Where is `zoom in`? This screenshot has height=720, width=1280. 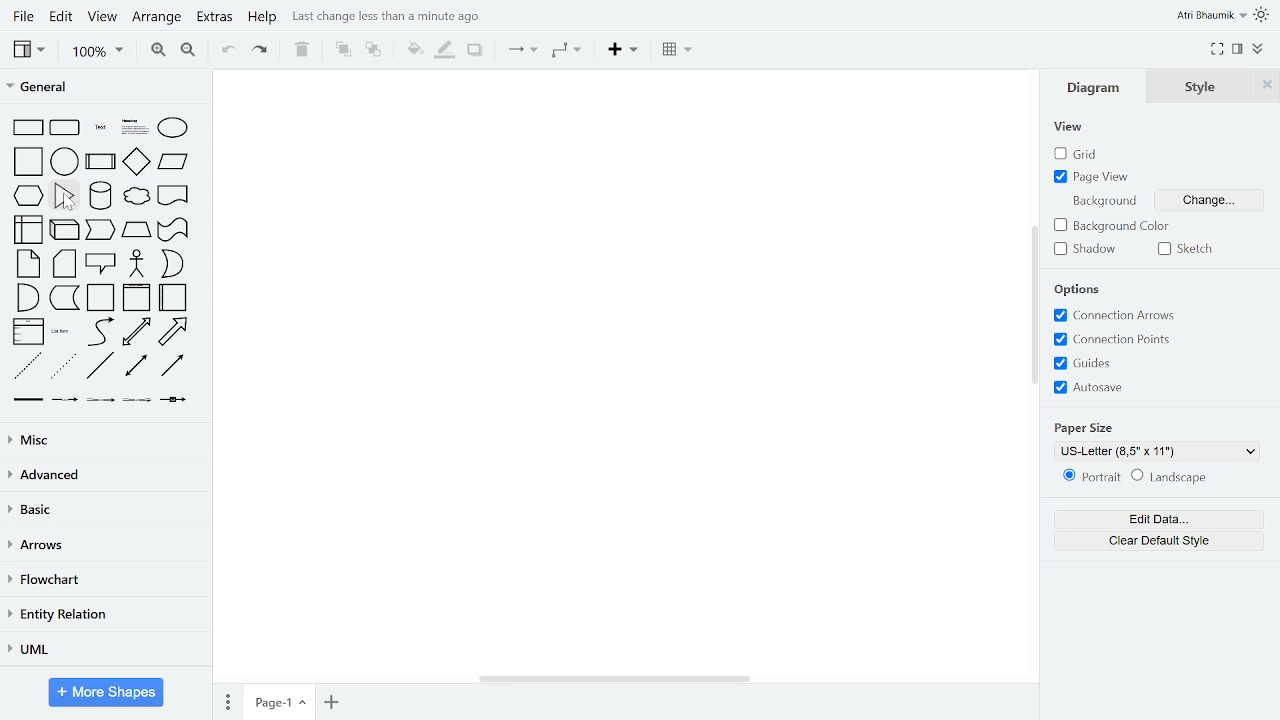
zoom in is located at coordinates (160, 51).